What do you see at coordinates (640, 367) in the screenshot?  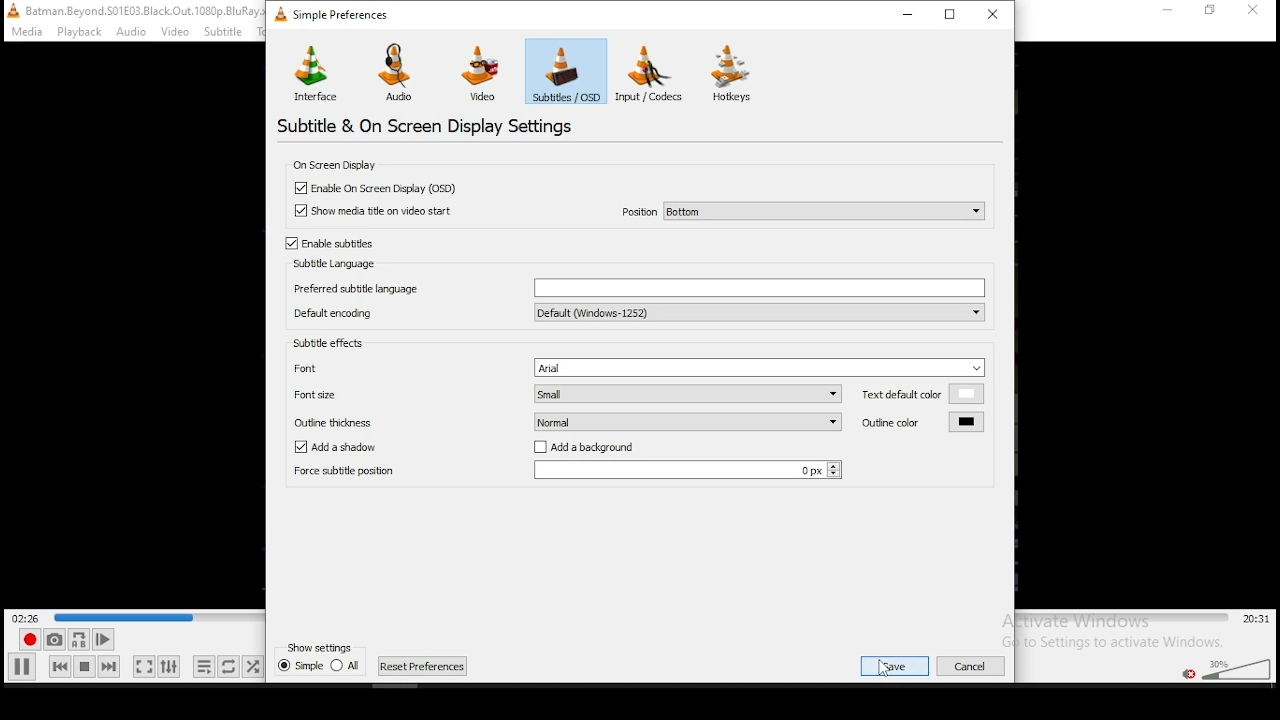 I see `font` at bounding box center [640, 367].